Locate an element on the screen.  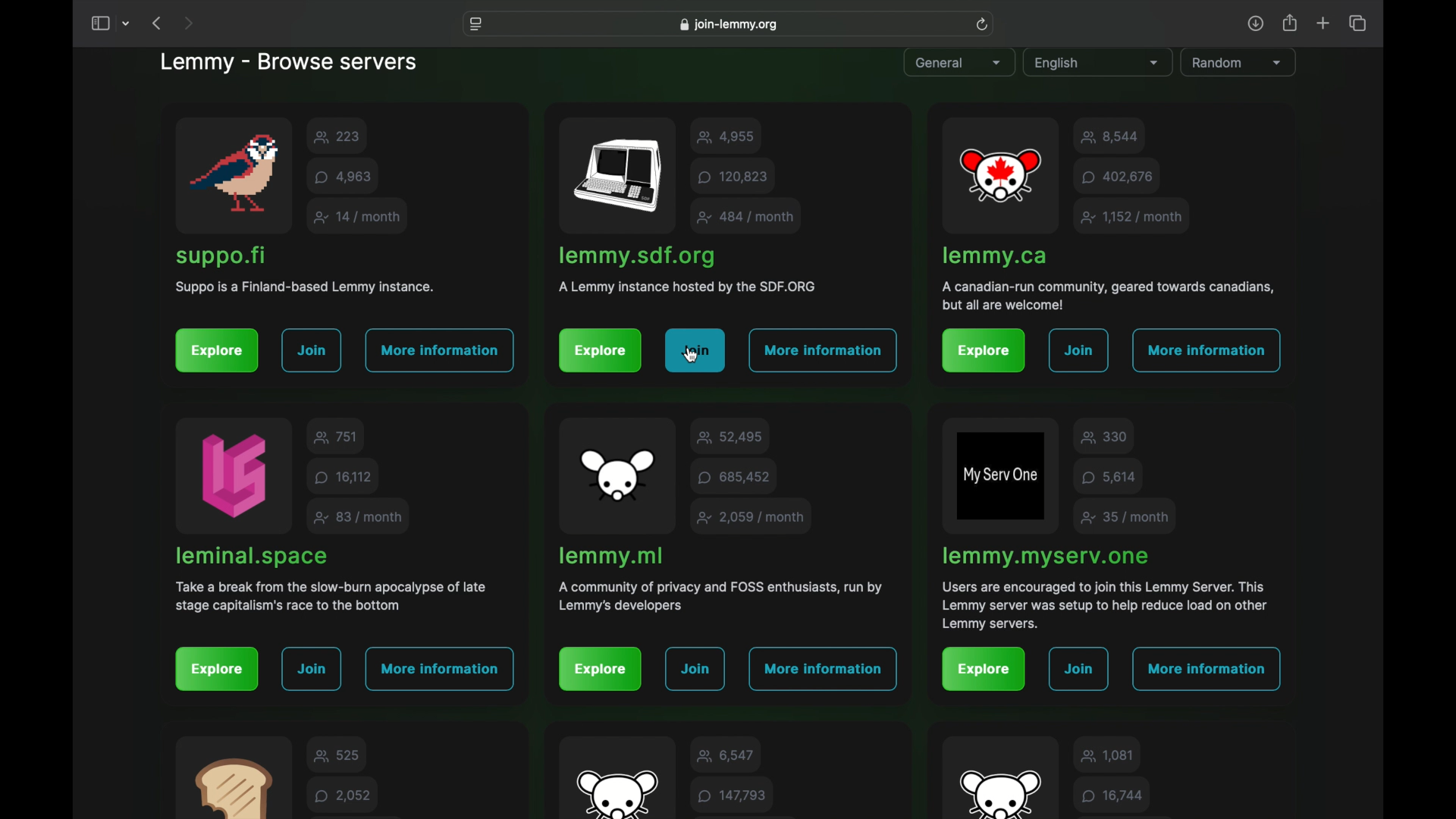
comments is located at coordinates (733, 795).